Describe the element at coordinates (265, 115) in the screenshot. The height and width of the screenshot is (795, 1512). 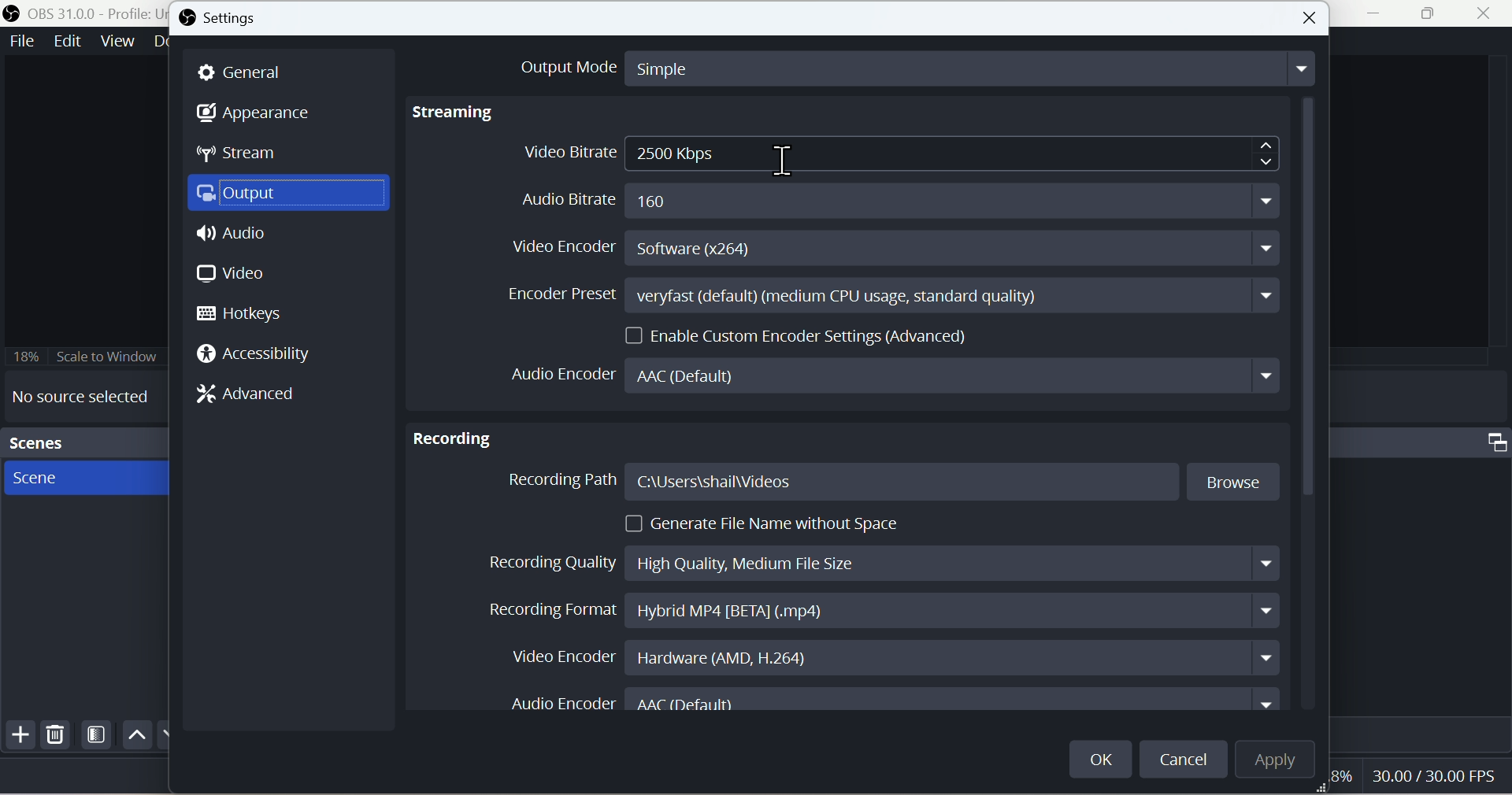
I see `Appearance` at that location.